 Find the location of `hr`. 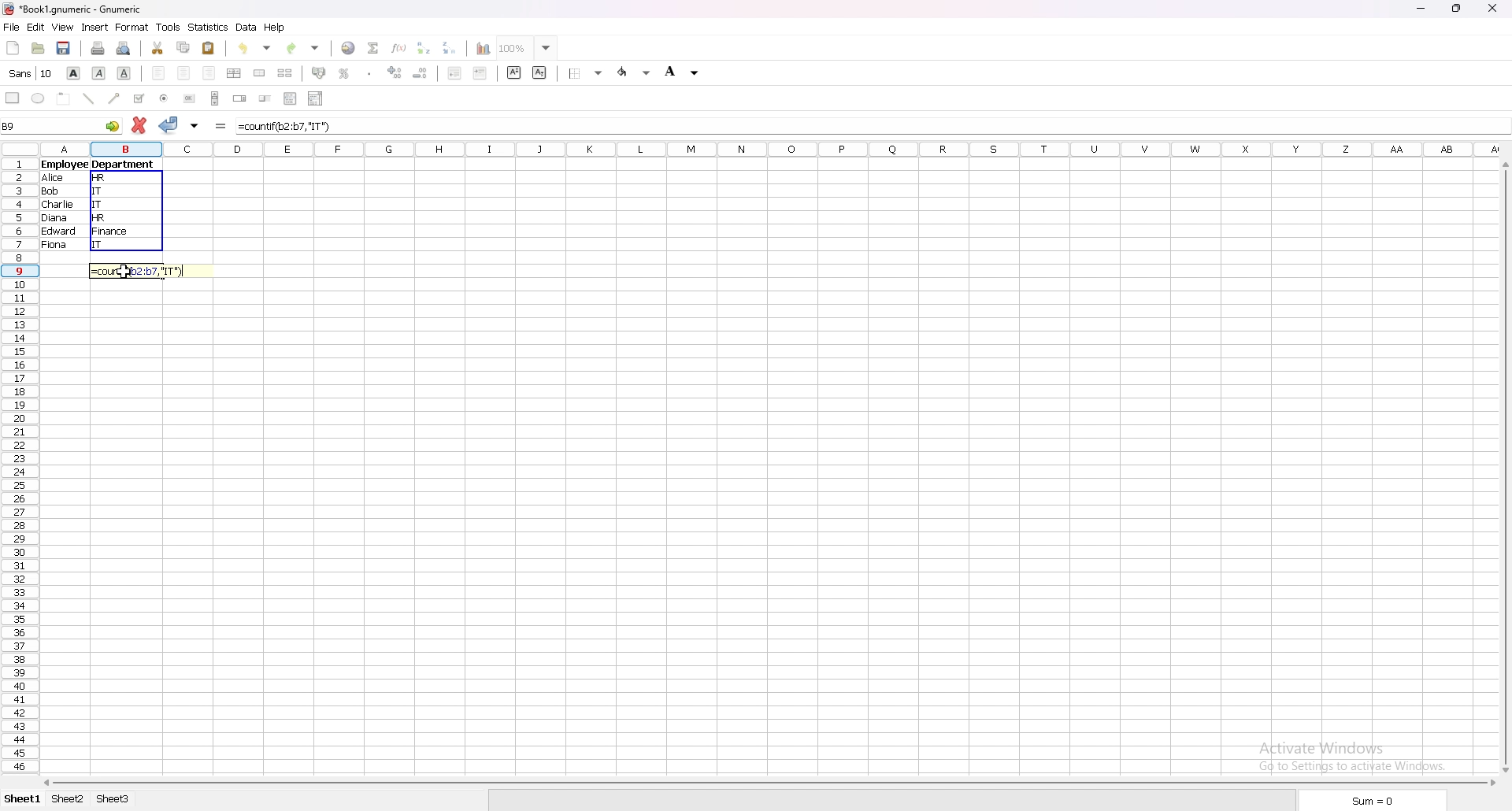

hr is located at coordinates (98, 179).